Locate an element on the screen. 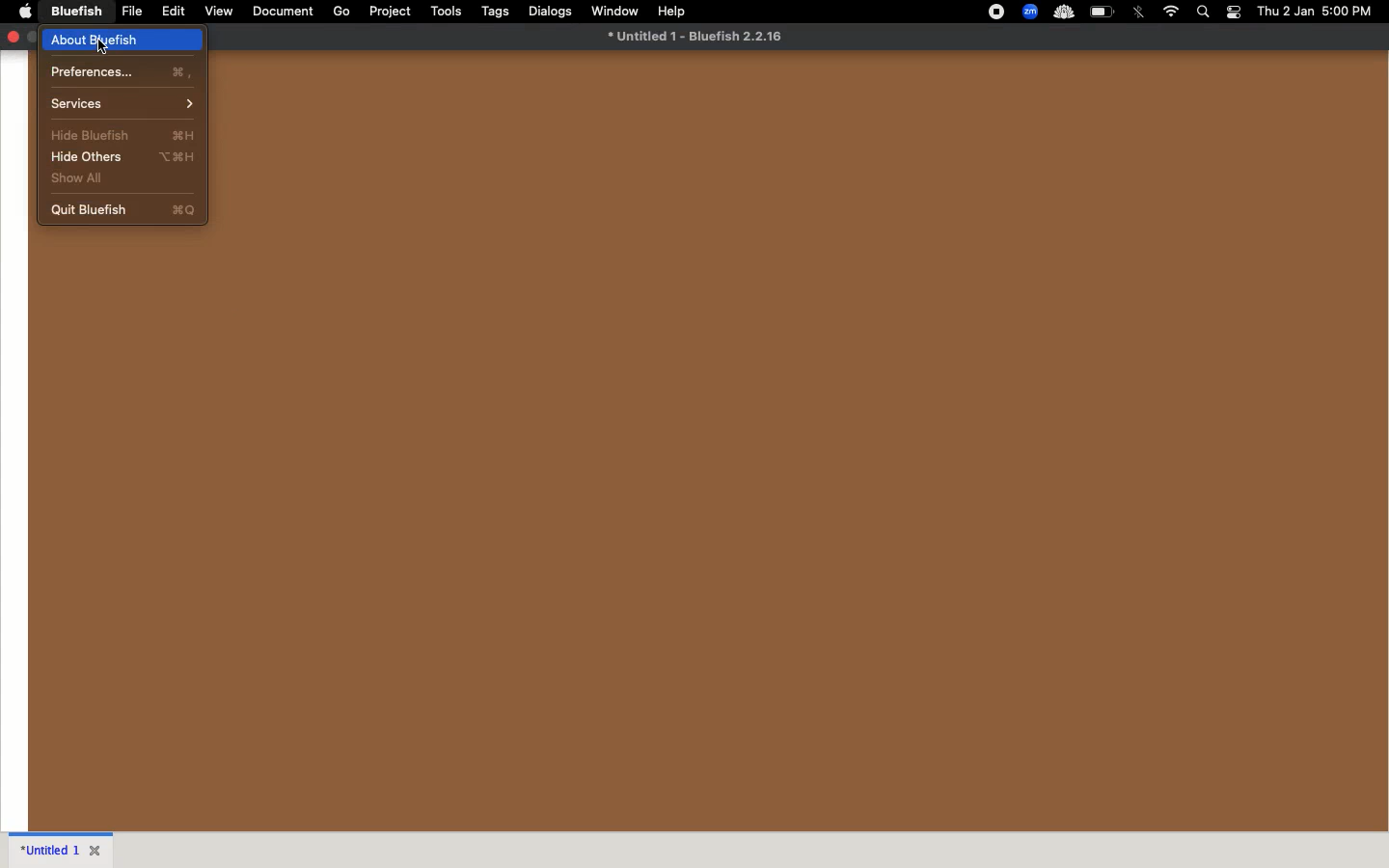 This screenshot has width=1389, height=868. show all is located at coordinates (79, 178).